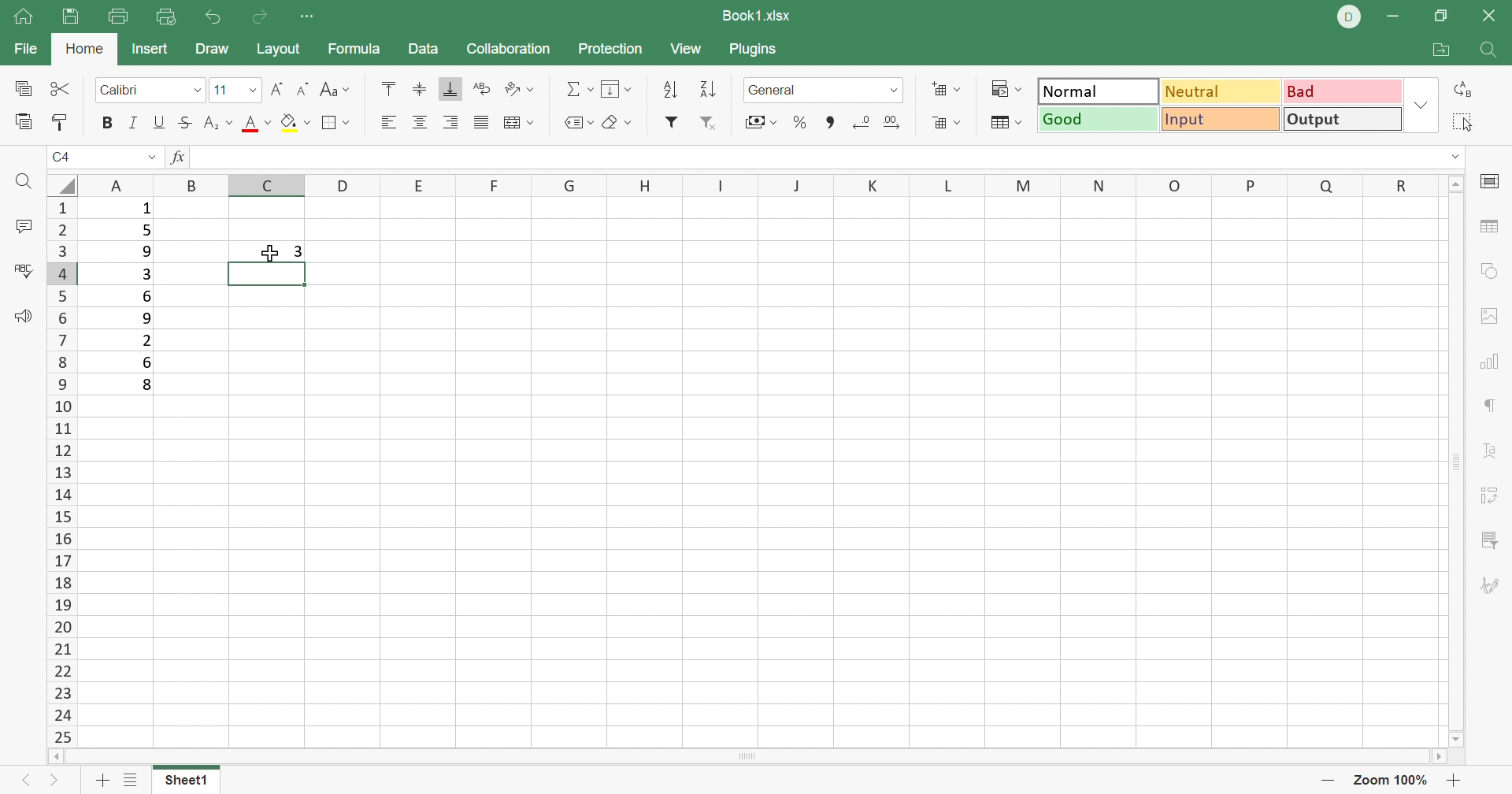  Describe the element at coordinates (294, 122) in the screenshot. I see `Fil color` at that location.